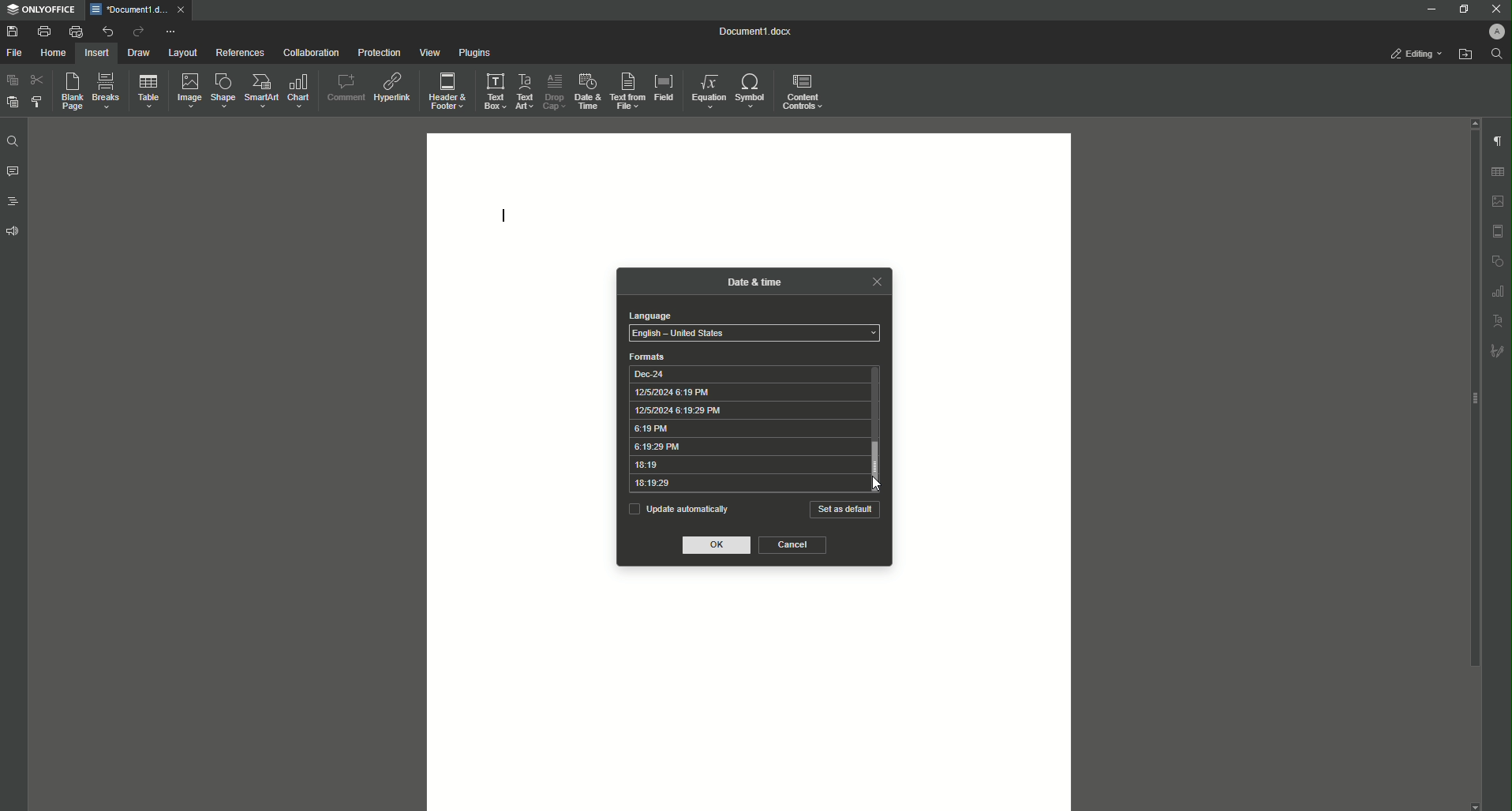  Describe the element at coordinates (139, 52) in the screenshot. I see `Draw` at that location.